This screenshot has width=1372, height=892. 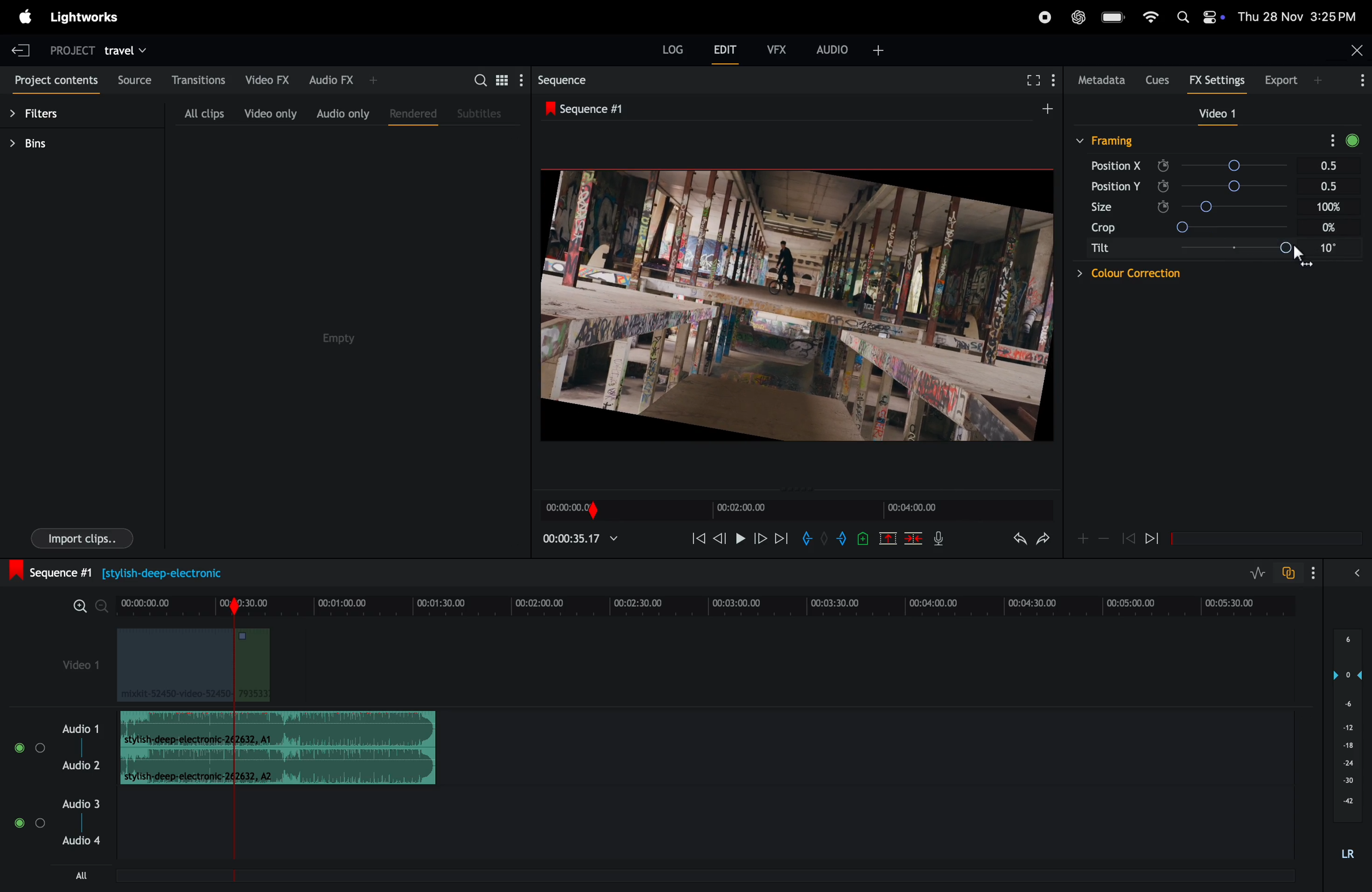 What do you see at coordinates (1082, 541) in the screenshot?
I see `Add keyframe` at bounding box center [1082, 541].